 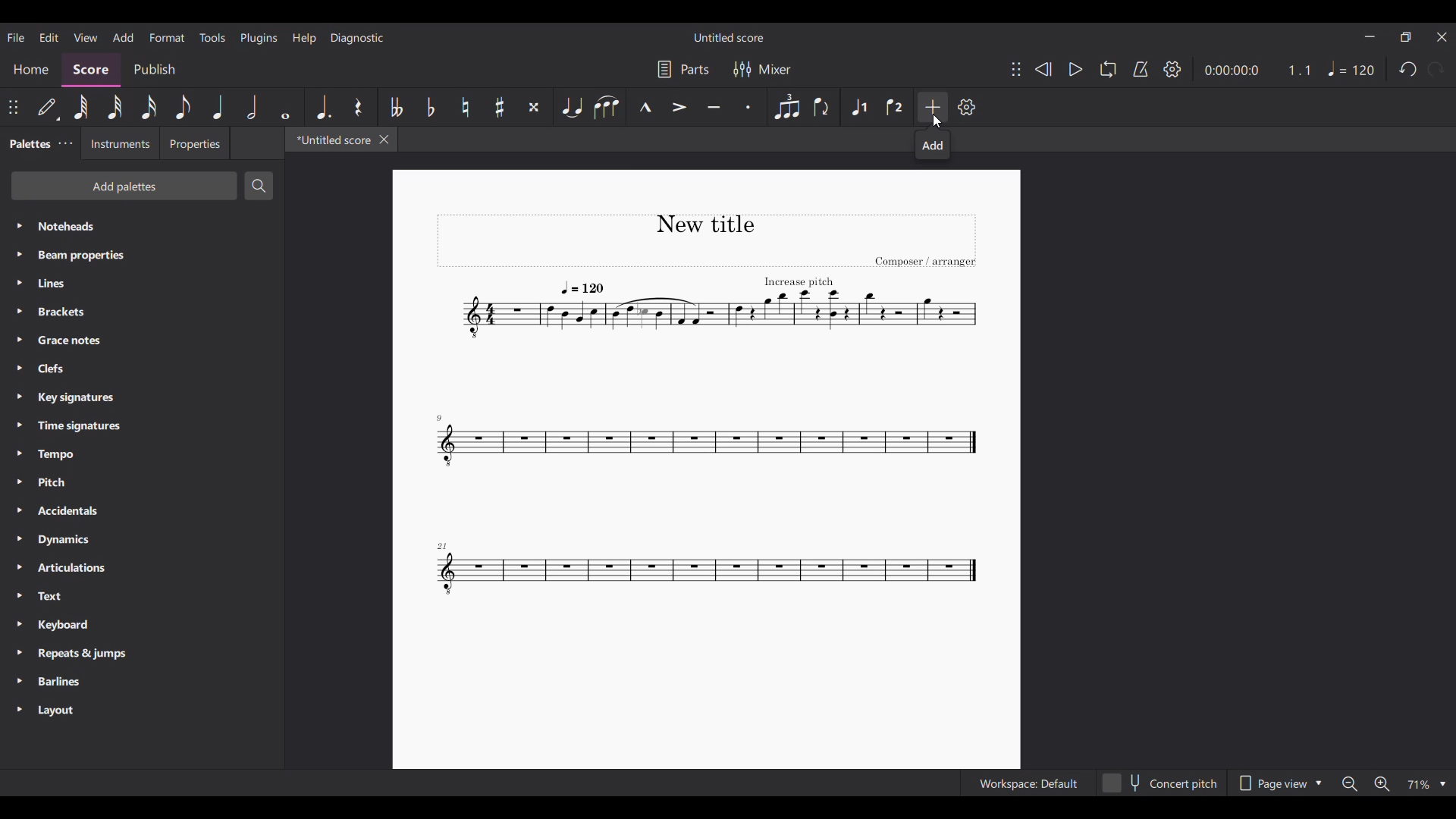 What do you see at coordinates (500, 108) in the screenshot?
I see `Toggle sharp` at bounding box center [500, 108].